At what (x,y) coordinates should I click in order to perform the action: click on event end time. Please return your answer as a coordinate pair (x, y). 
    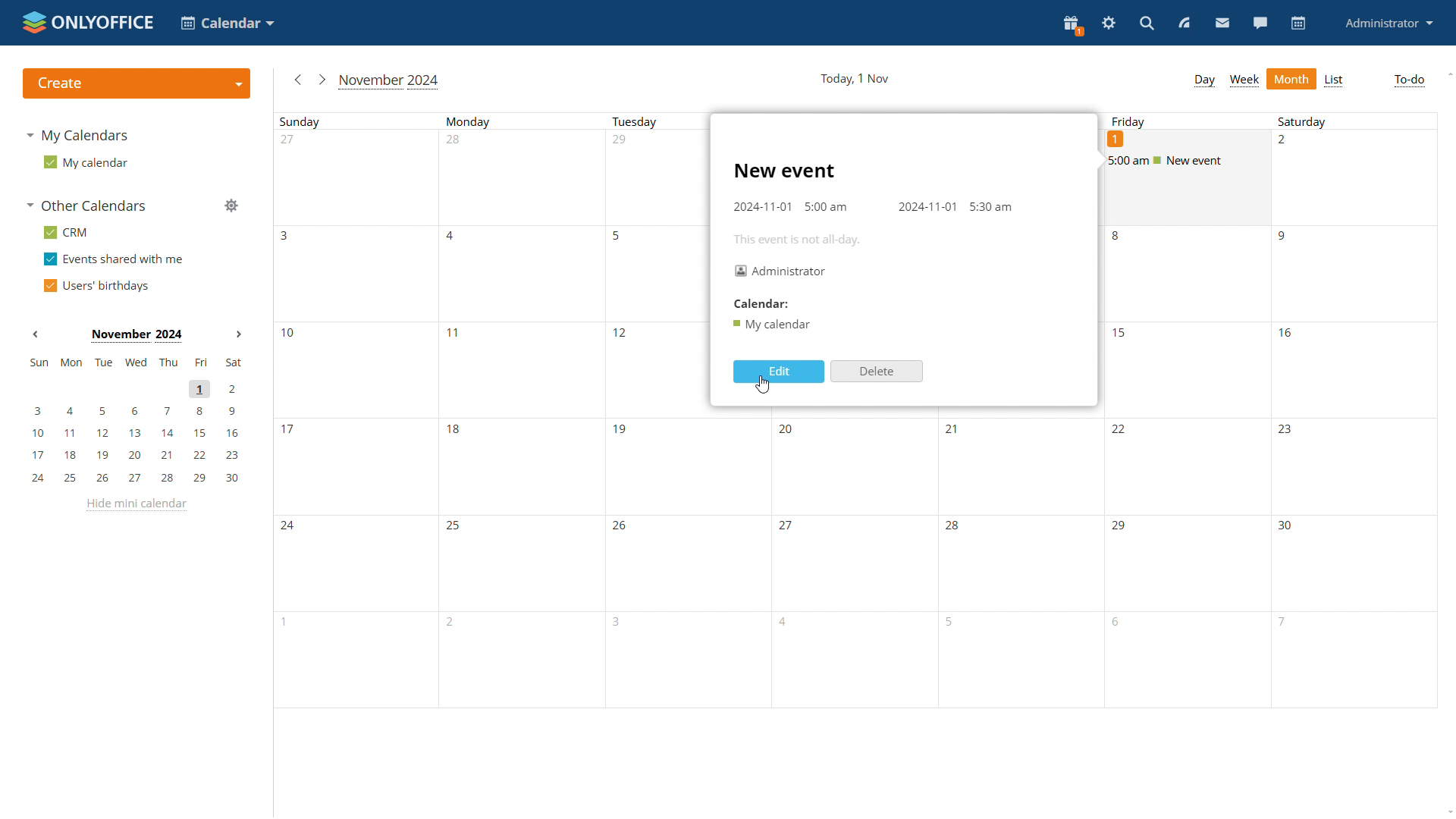
    Looking at the image, I should click on (990, 206).